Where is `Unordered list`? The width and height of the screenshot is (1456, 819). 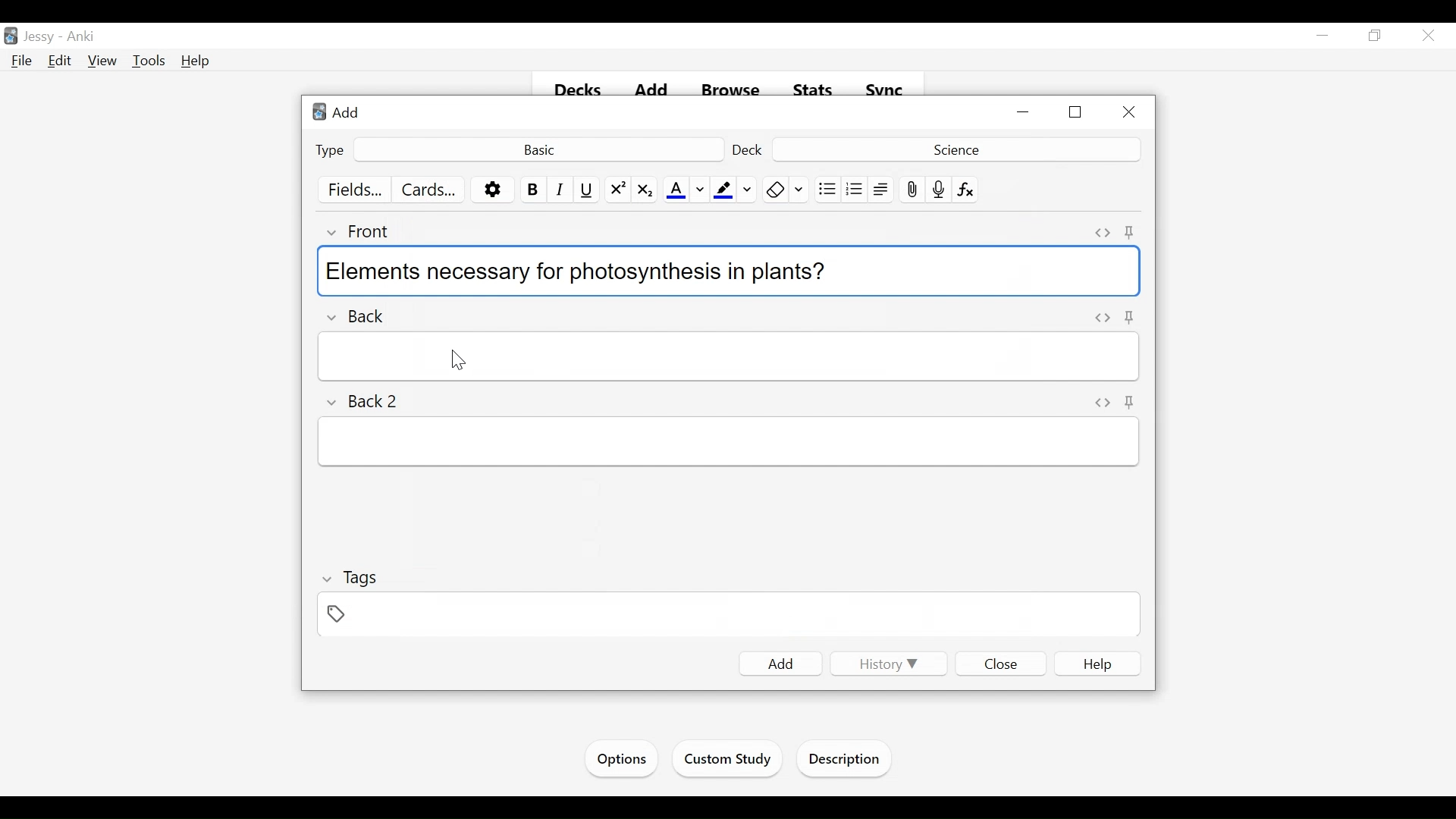 Unordered list is located at coordinates (827, 190).